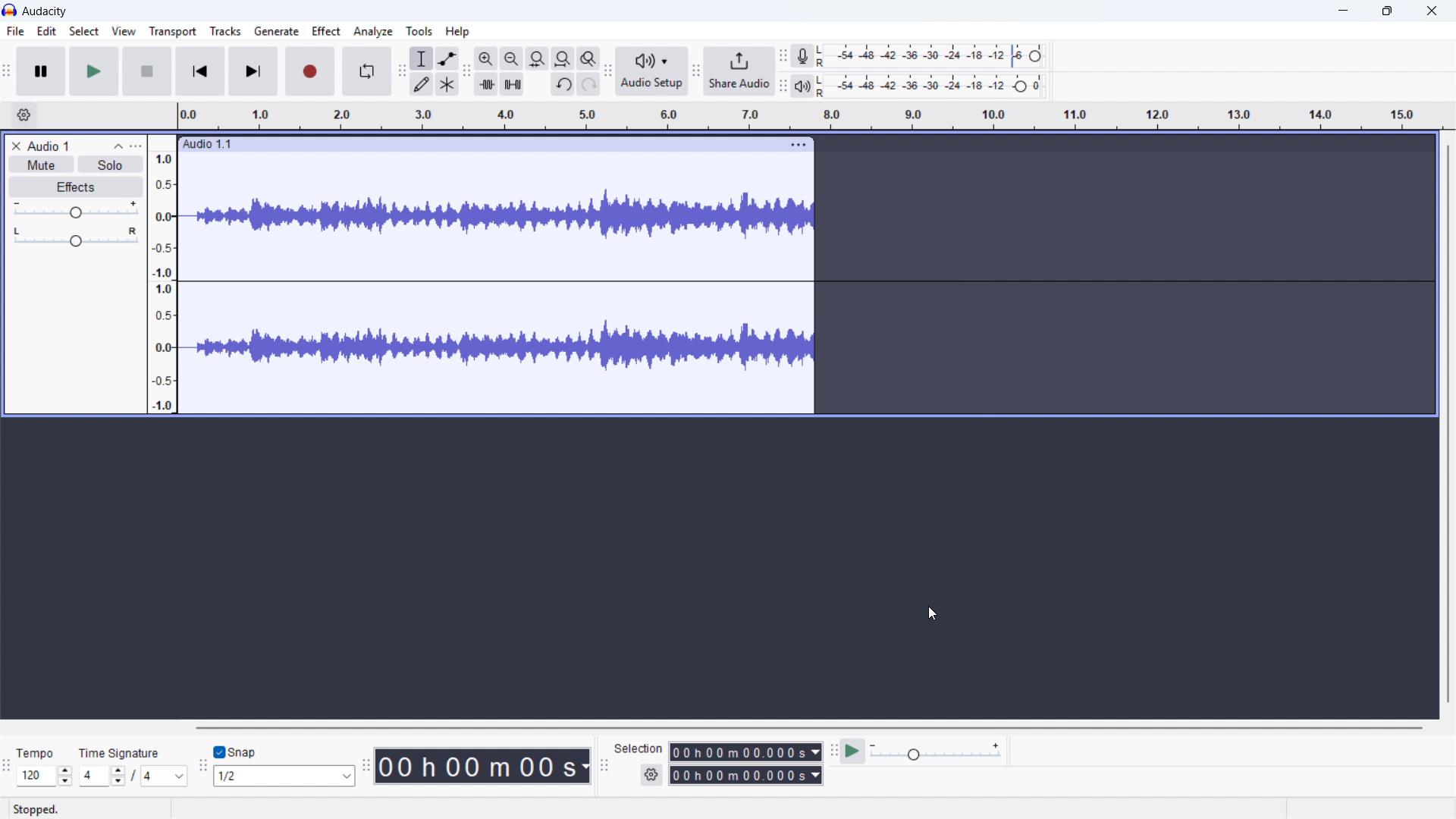 This screenshot has width=1456, height=819. Describe the element at coordinates (466, 72) in the screenshot. I see `Edit toolbar ` at that location.